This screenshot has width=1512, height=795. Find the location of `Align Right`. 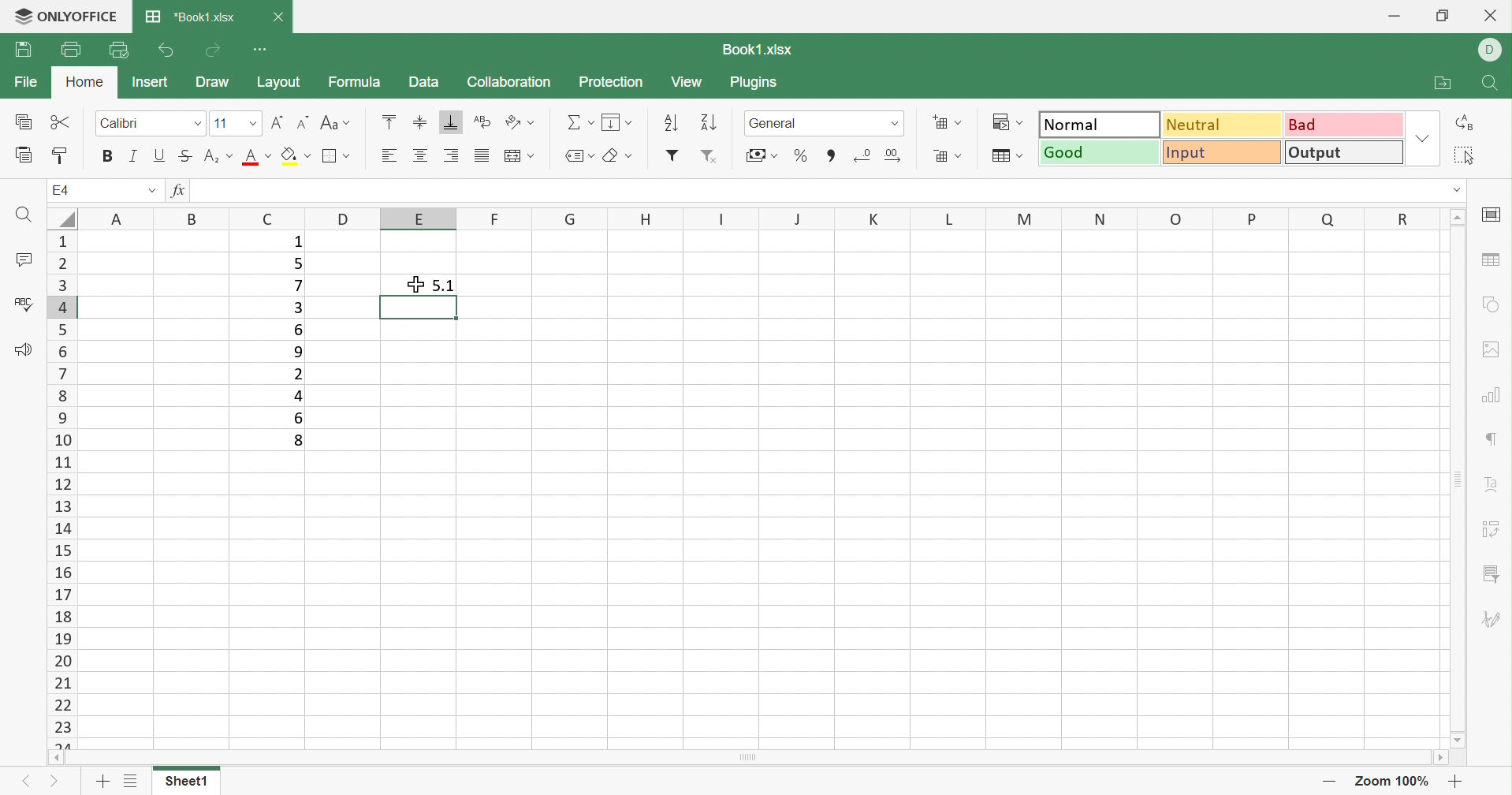

Align Right is located at coordinates (449, 155).